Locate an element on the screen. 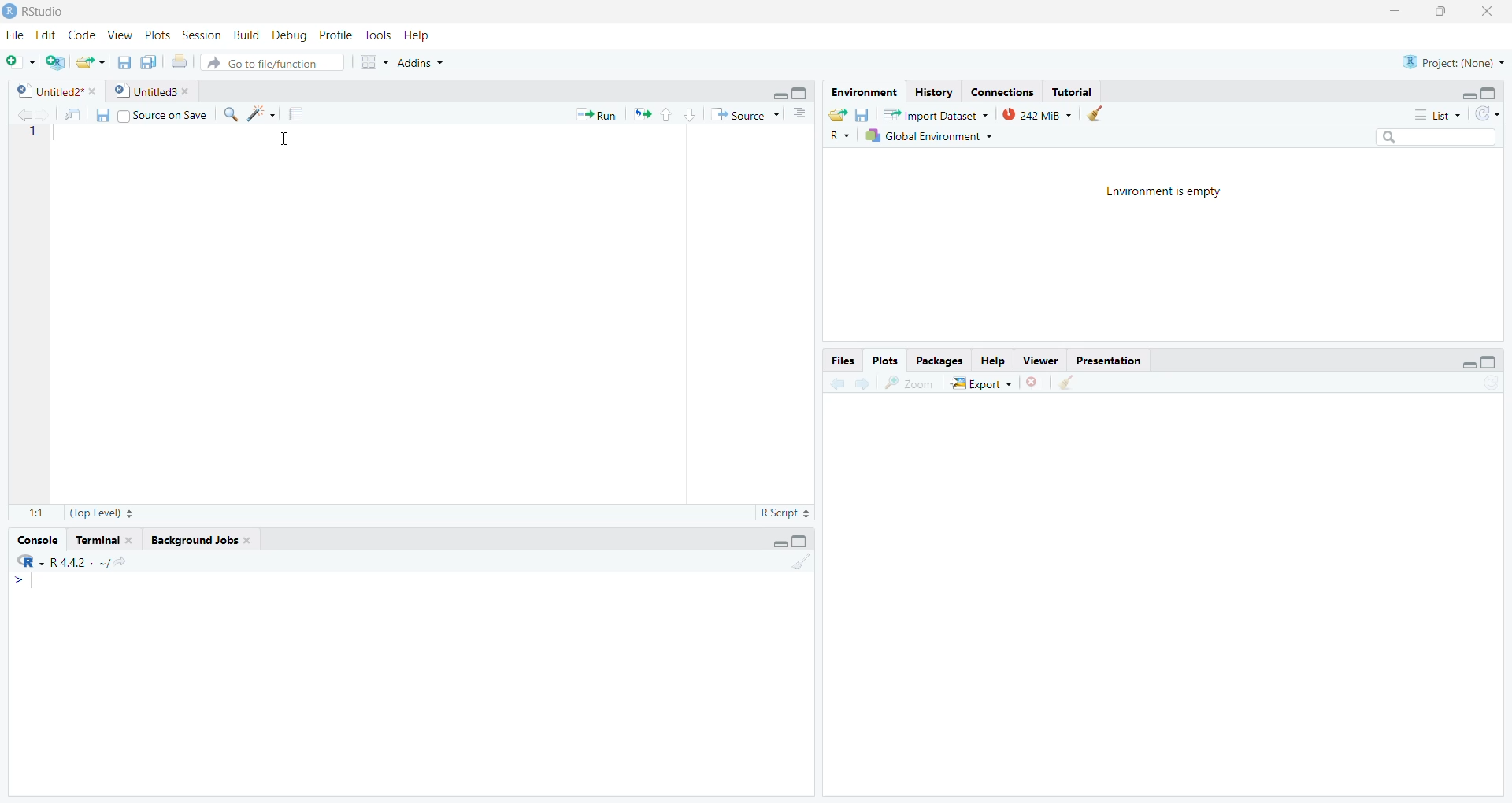 Image resolution: width=1512 pixels, height=803 pixels. Close is located at coordinates (1486, 12).